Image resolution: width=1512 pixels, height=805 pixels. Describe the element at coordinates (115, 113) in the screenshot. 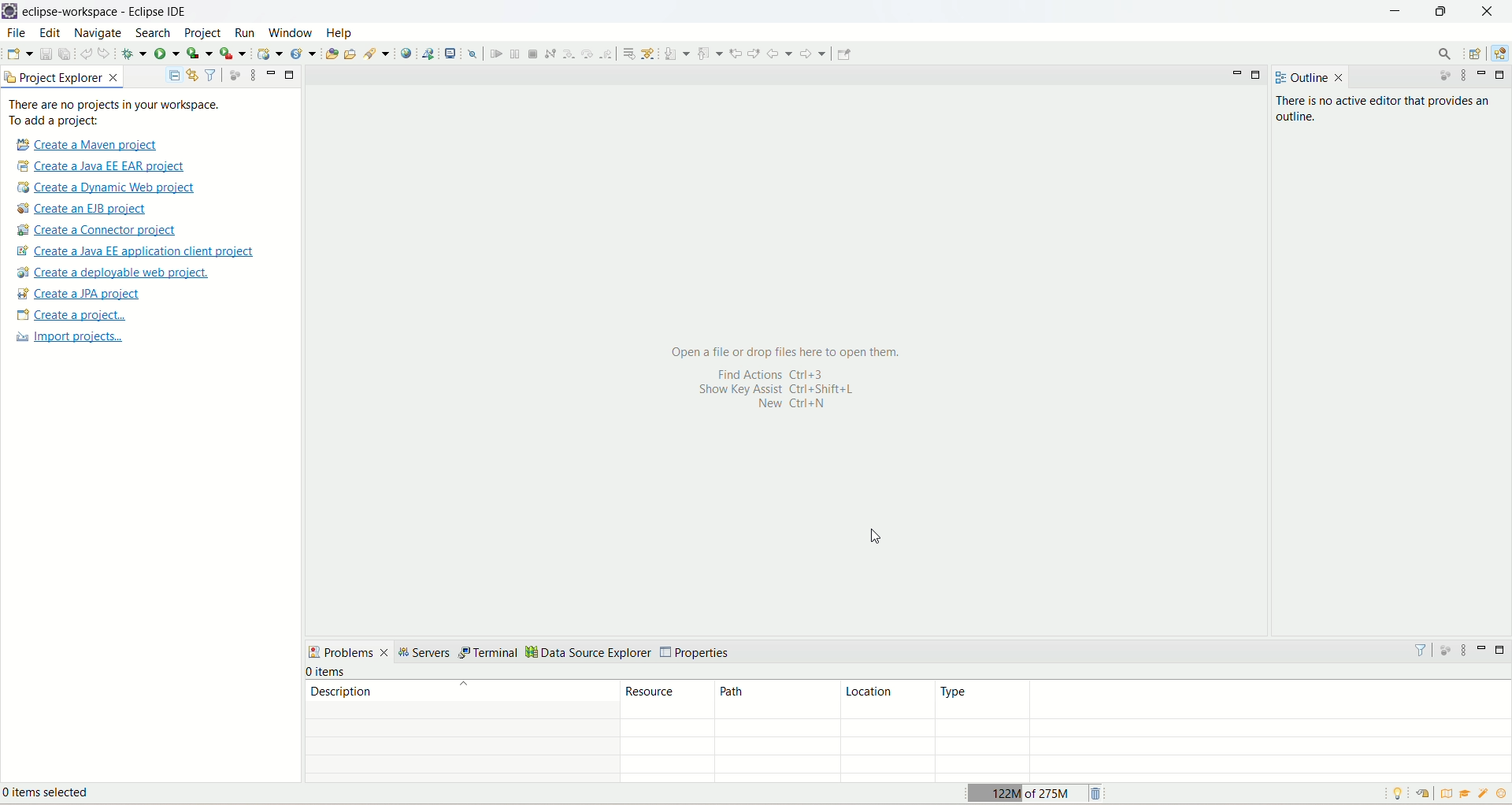

I see `There are no projects in your workspace. To add a project:` at that location.